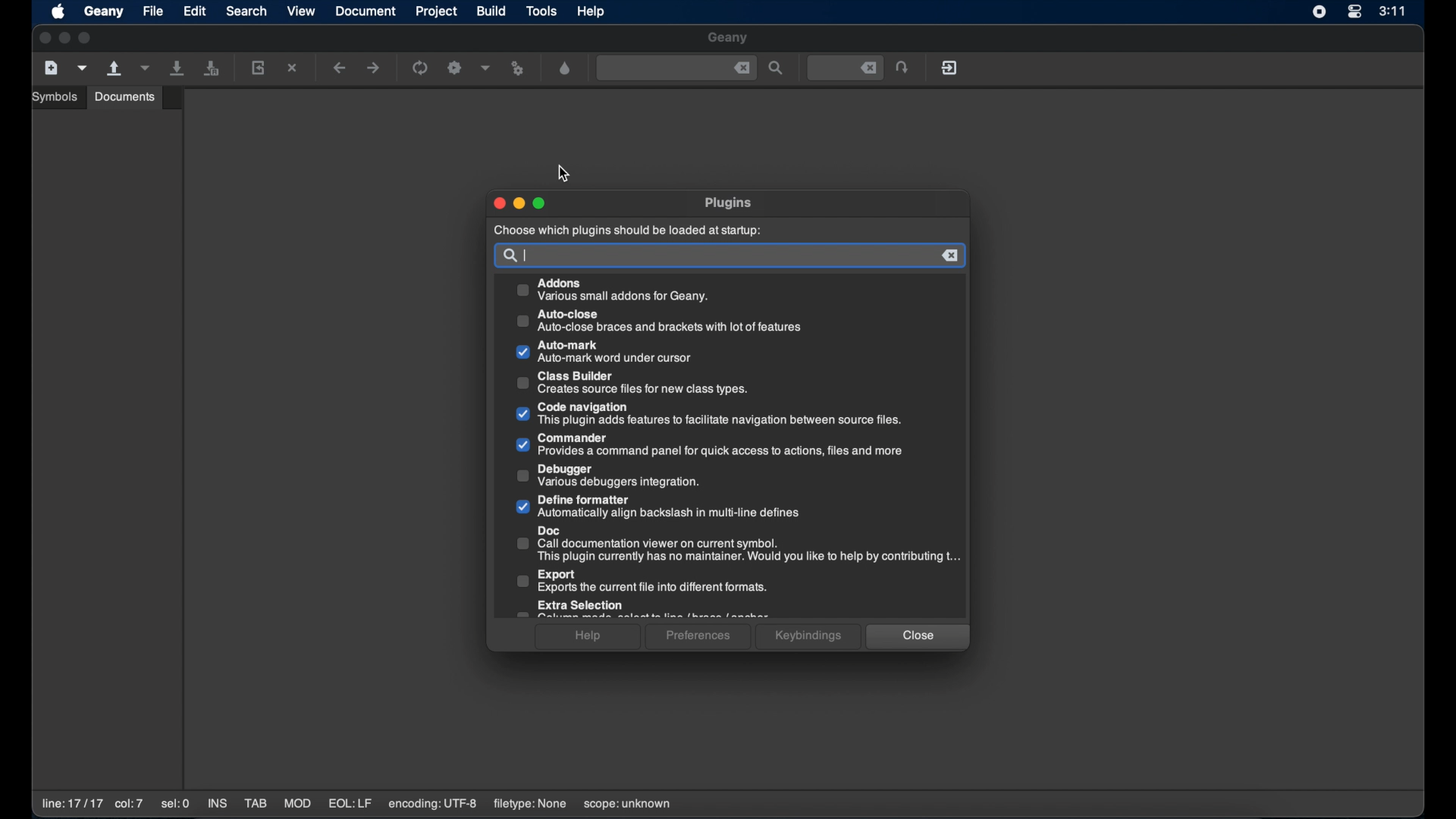 The height and width of the screenshot is (819, 1456). I want to click on line:17/17, so click(71, 804).